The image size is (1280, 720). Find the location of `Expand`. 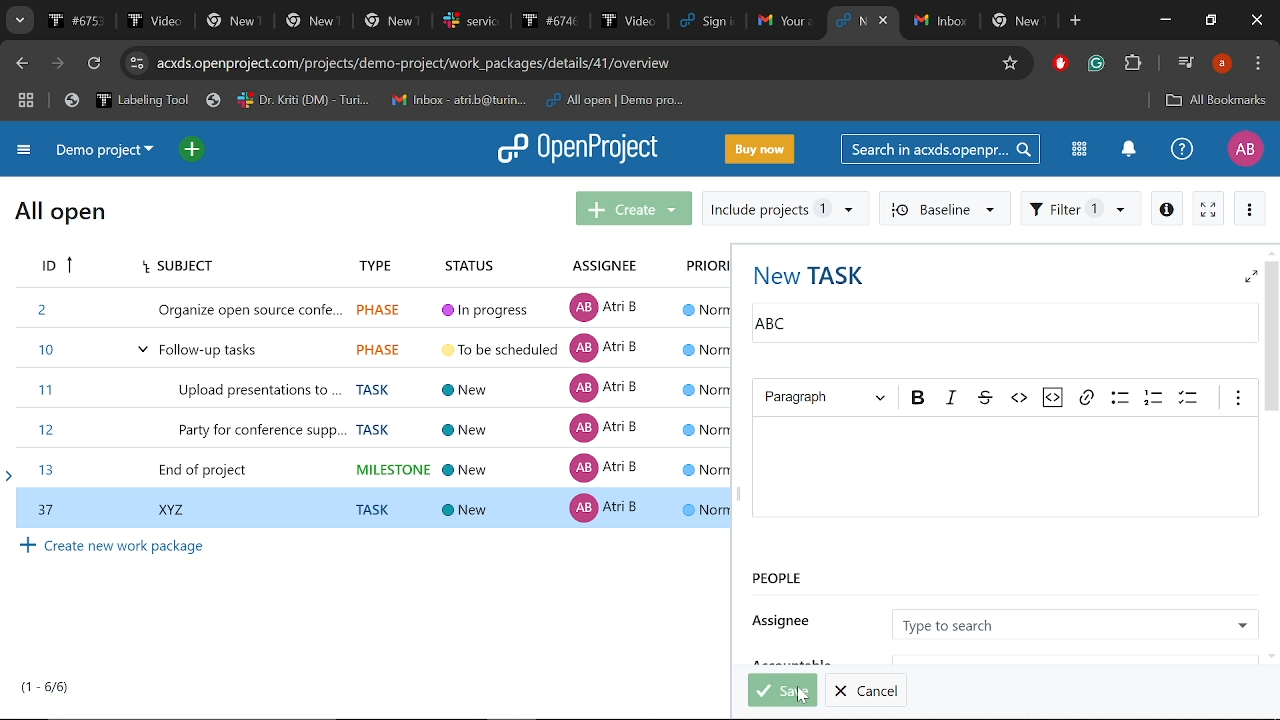

Expand is located at coordinates (1250, 276).